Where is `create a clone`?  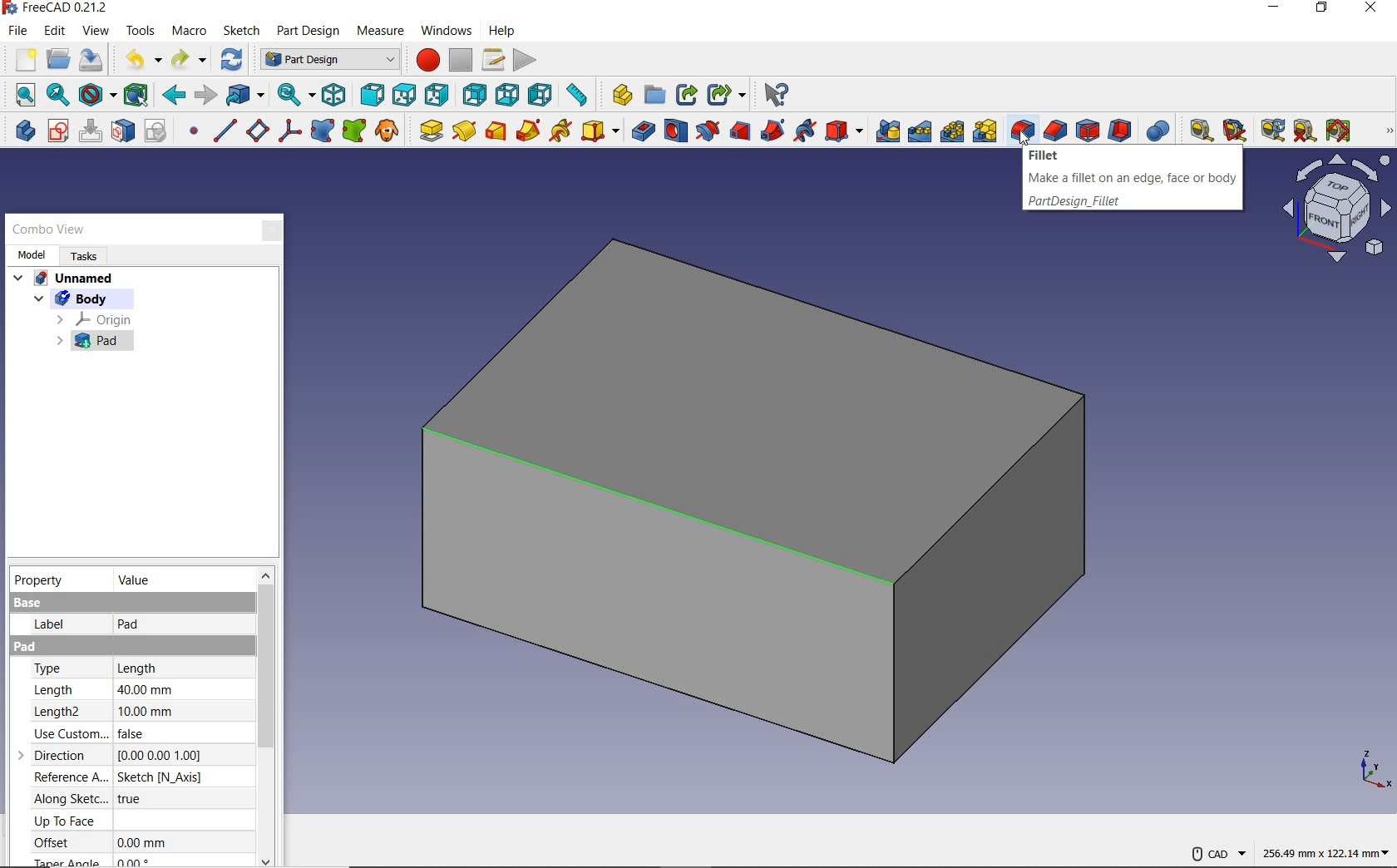
create a clone is located at coordinates (389, 132).